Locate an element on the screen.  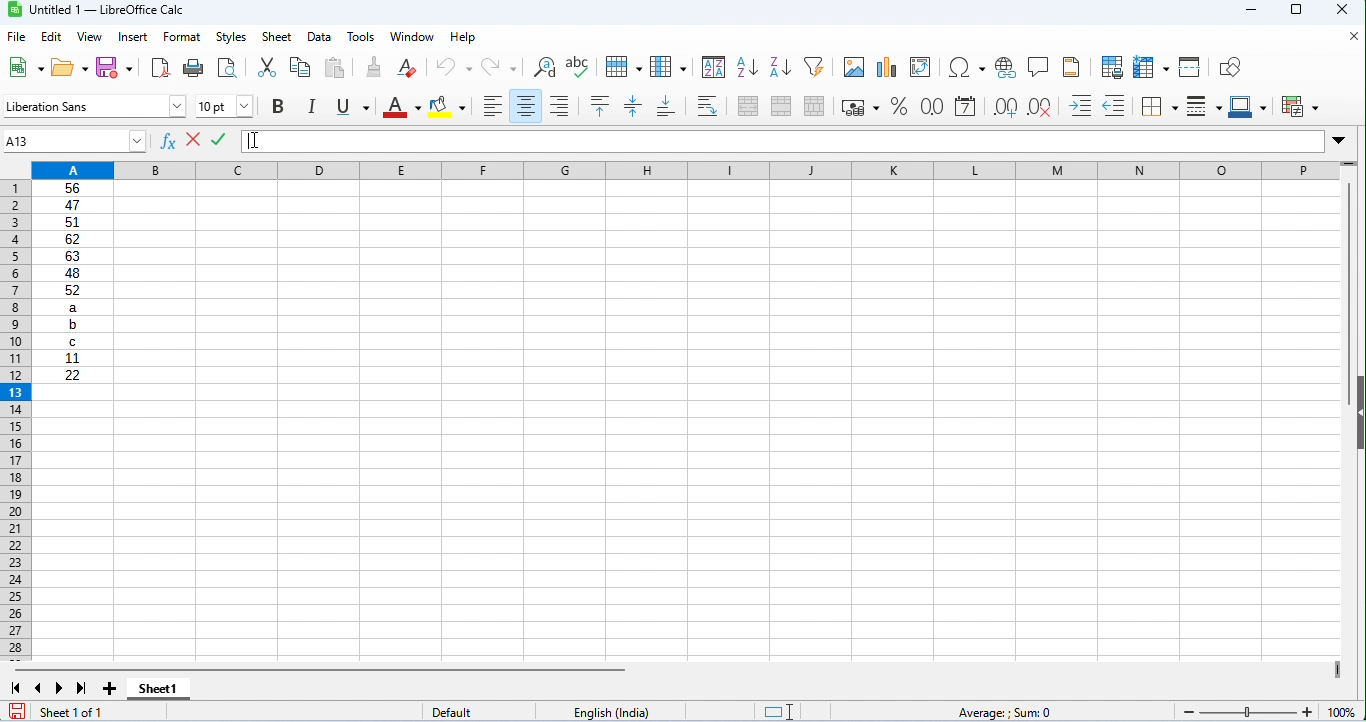
100% is located at coordinates (1342, 712).